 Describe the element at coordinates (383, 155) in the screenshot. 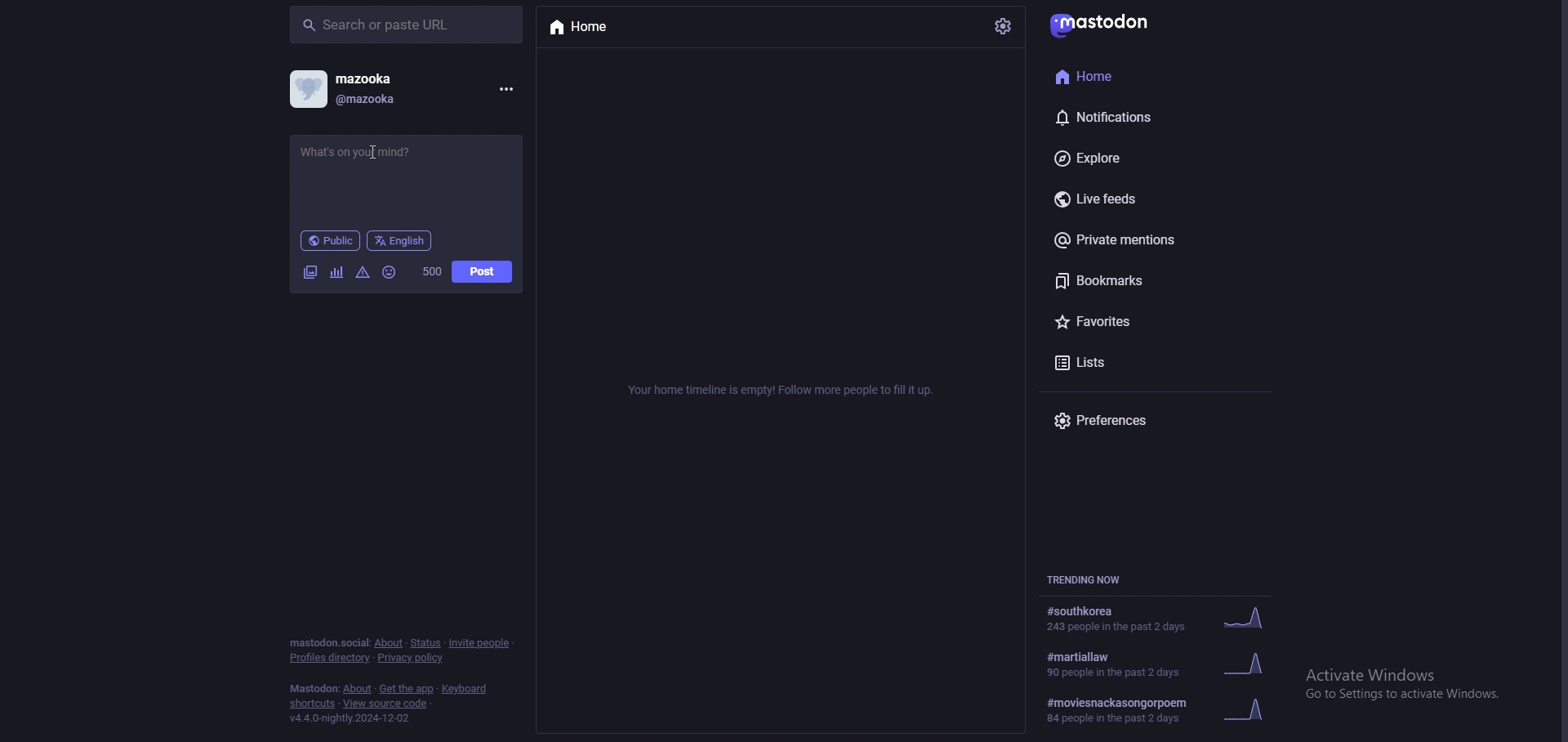

I see `Cursor` at that location.